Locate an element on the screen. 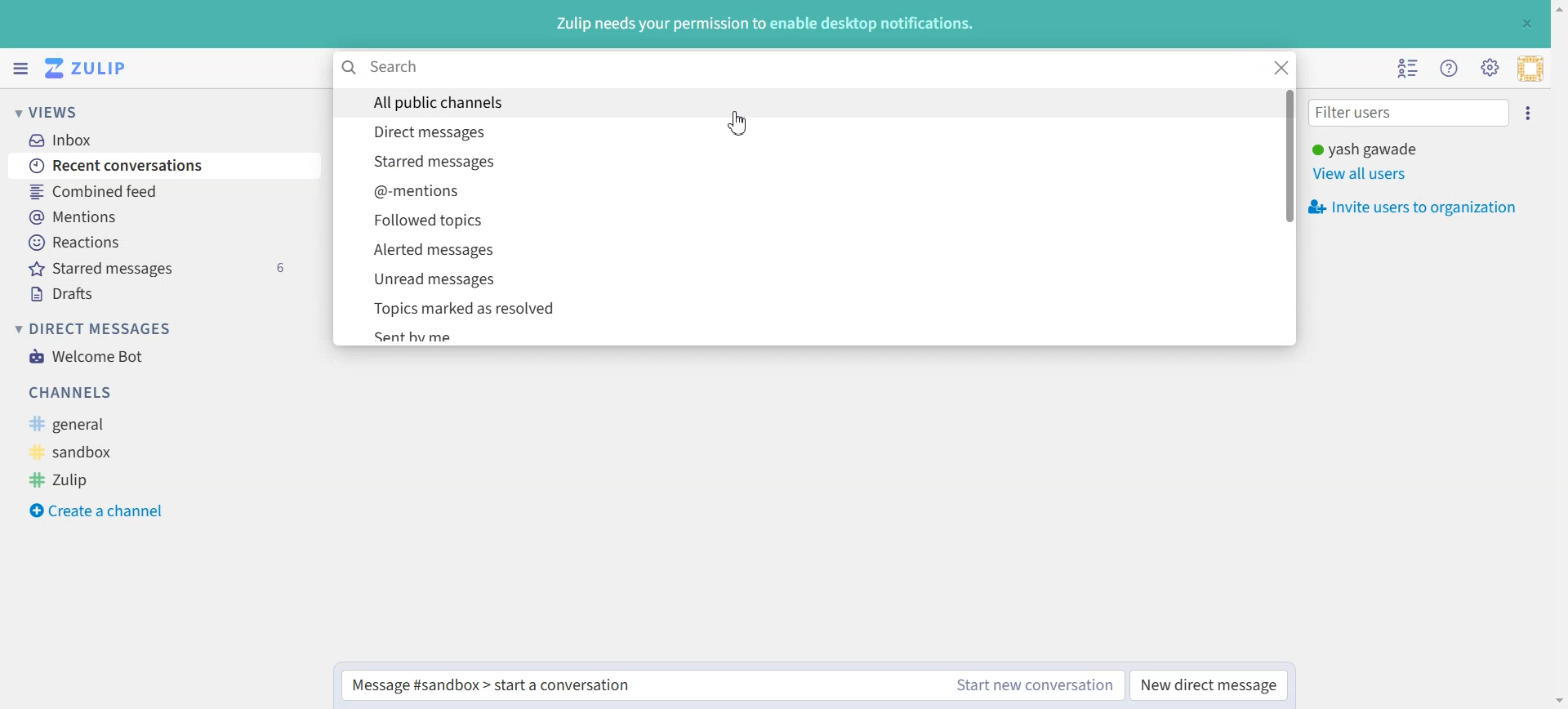 The image size is (1568, 709). Reactions is located at coordinates (162, 242).